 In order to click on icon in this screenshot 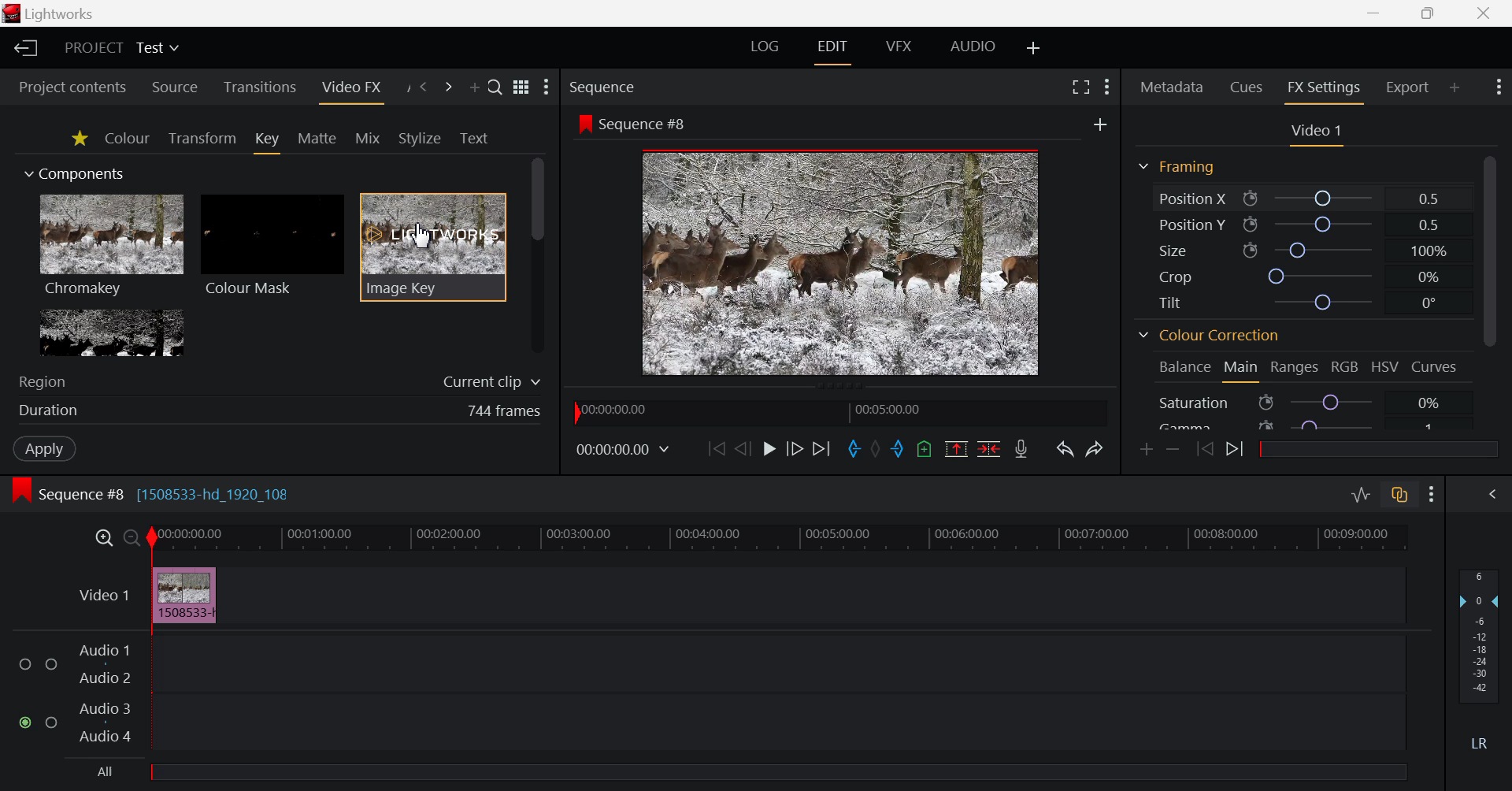, I will do `click(1251, 251)`.